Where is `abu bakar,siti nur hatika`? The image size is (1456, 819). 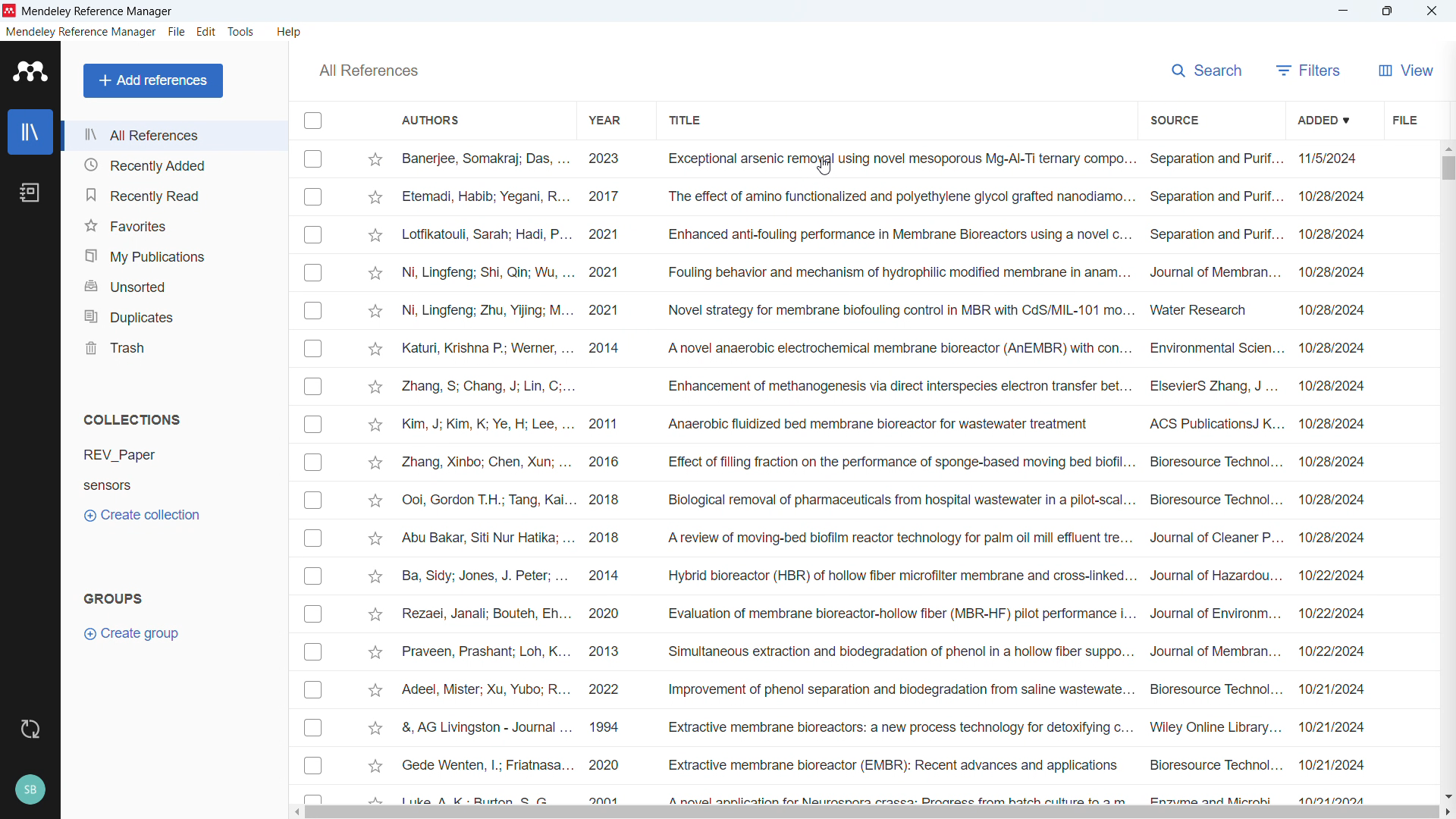
abu bakar,siti nur hatika is located at coordinates (477, 539).